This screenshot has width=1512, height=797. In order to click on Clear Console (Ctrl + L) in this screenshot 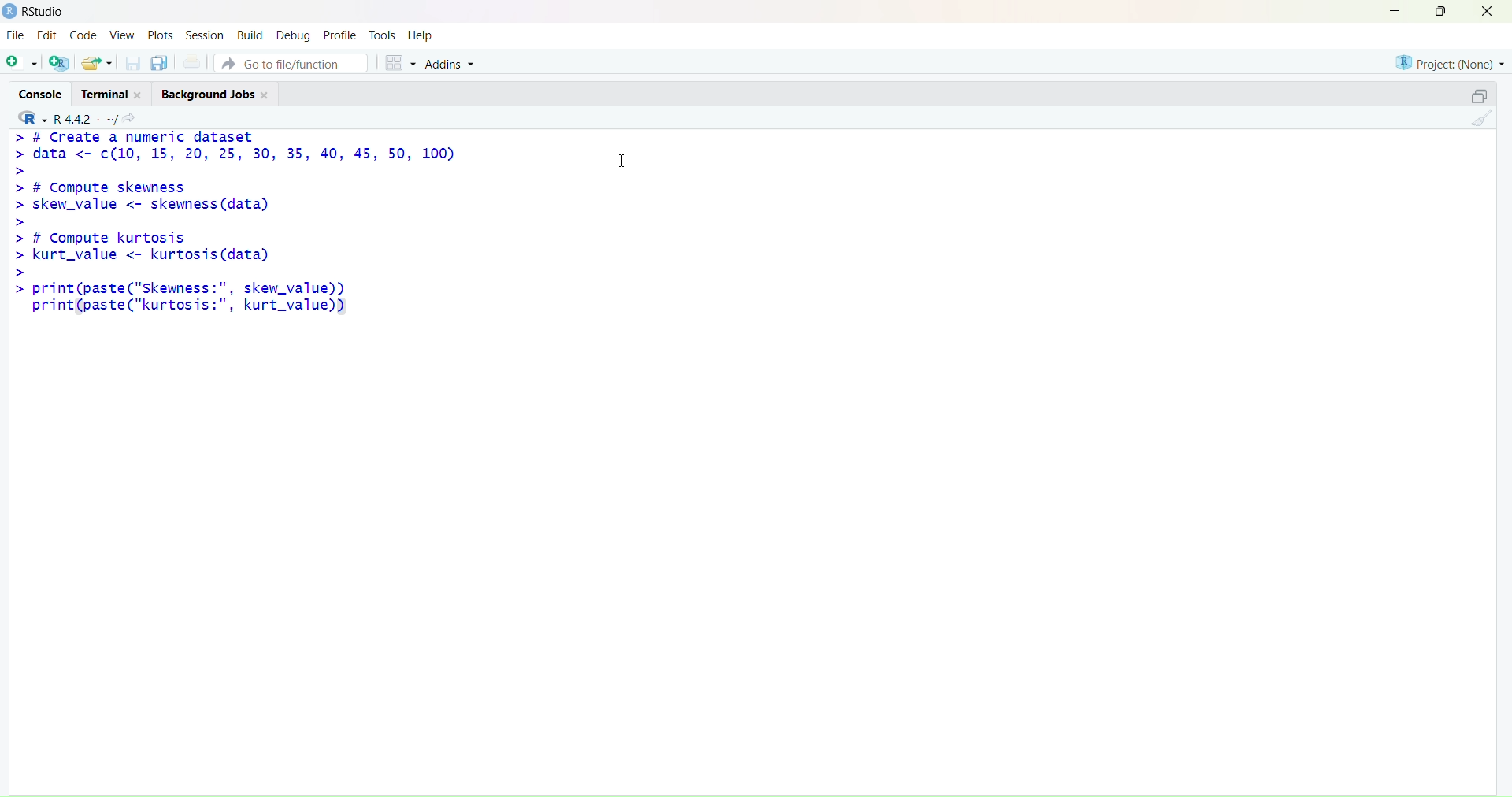, I will do `click(1478, 124)`.